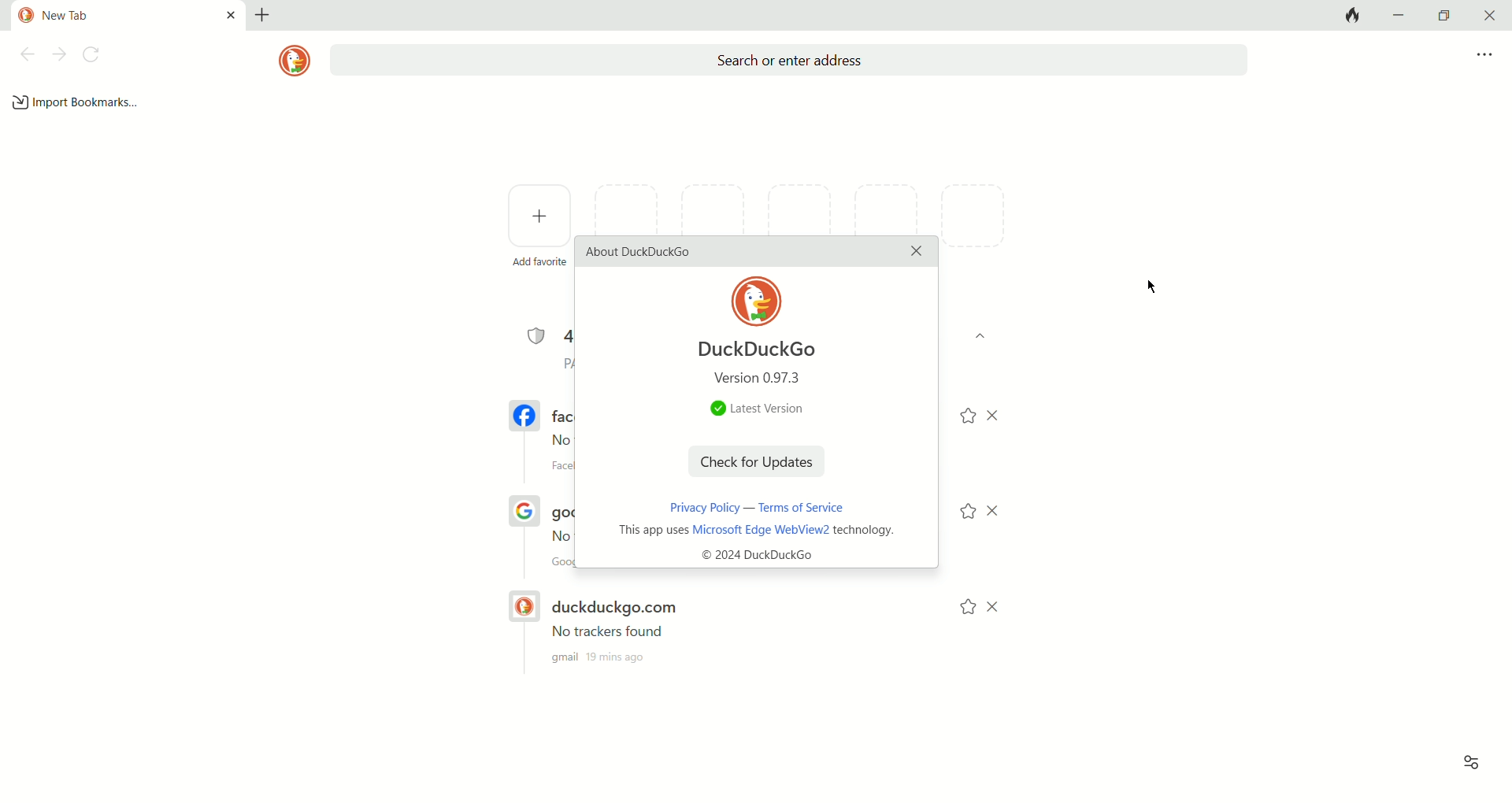 This screenshot has height=803, width=1512. I want to click on check for updates, so click(760, 464).